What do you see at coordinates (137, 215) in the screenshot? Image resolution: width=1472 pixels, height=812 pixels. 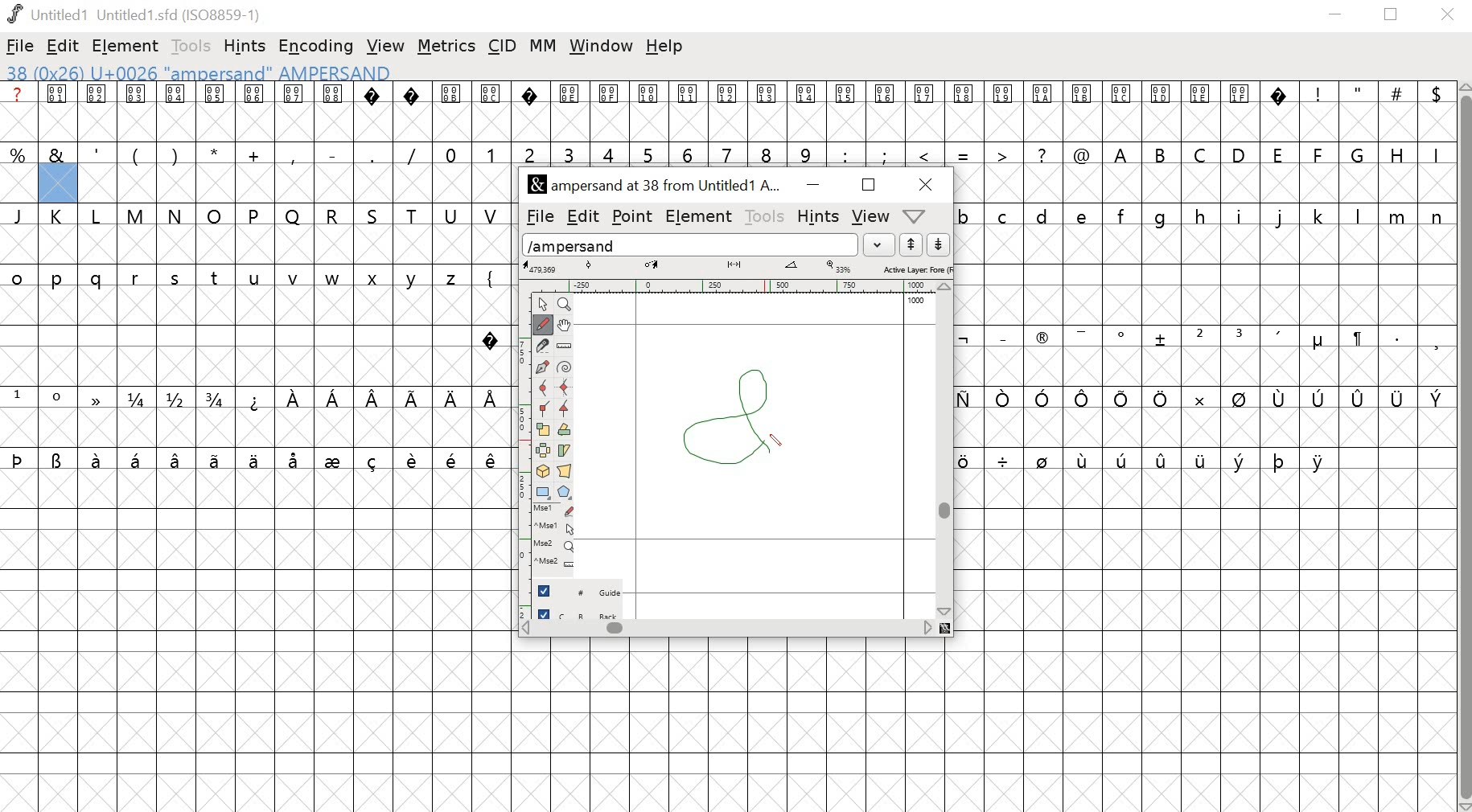 I see `M` at bounding box center [137, 215].